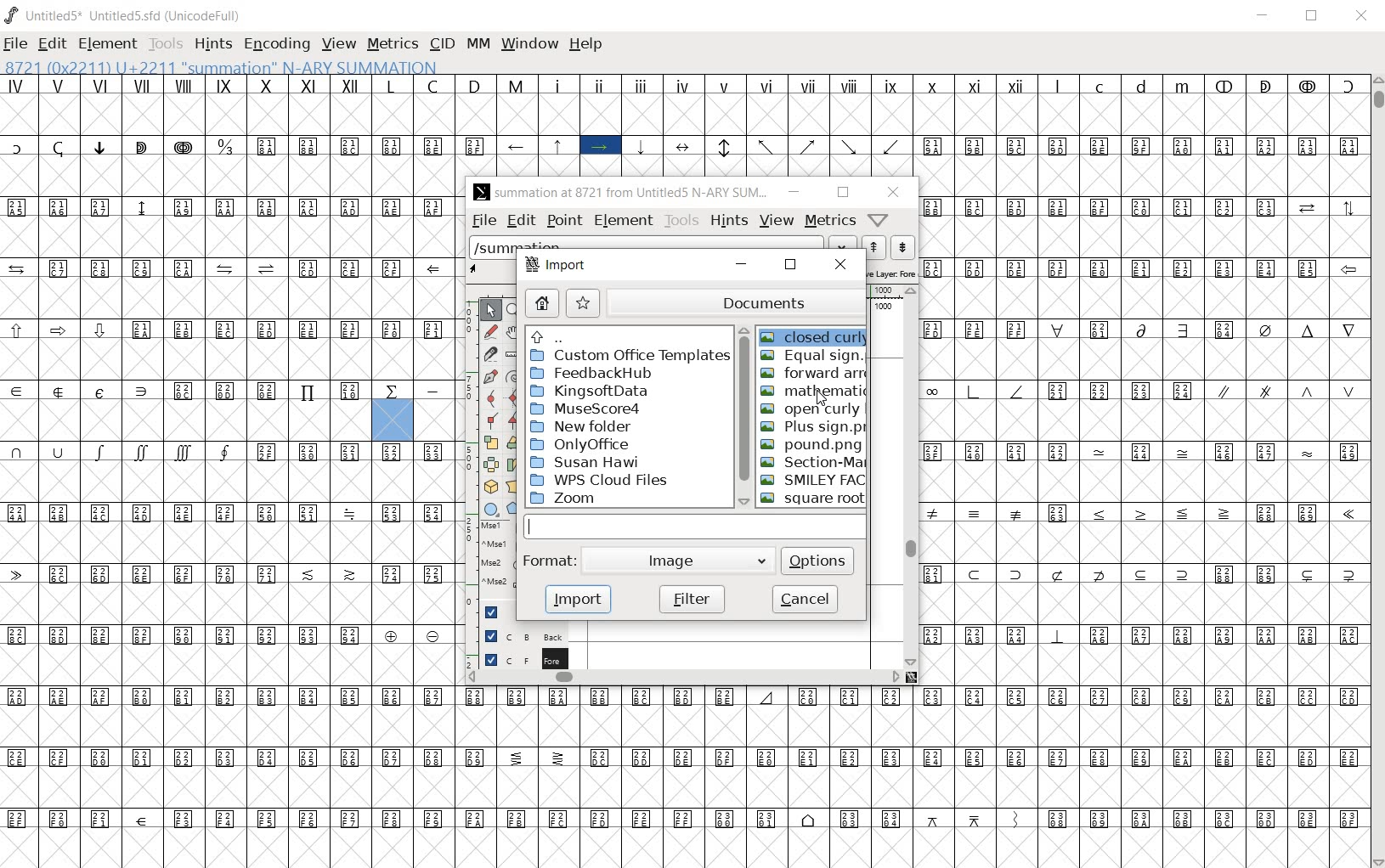  What do you see at coordinates (513, 442) in the screenshot?
I see `rotate the selection` at bounding box center [513, 442].